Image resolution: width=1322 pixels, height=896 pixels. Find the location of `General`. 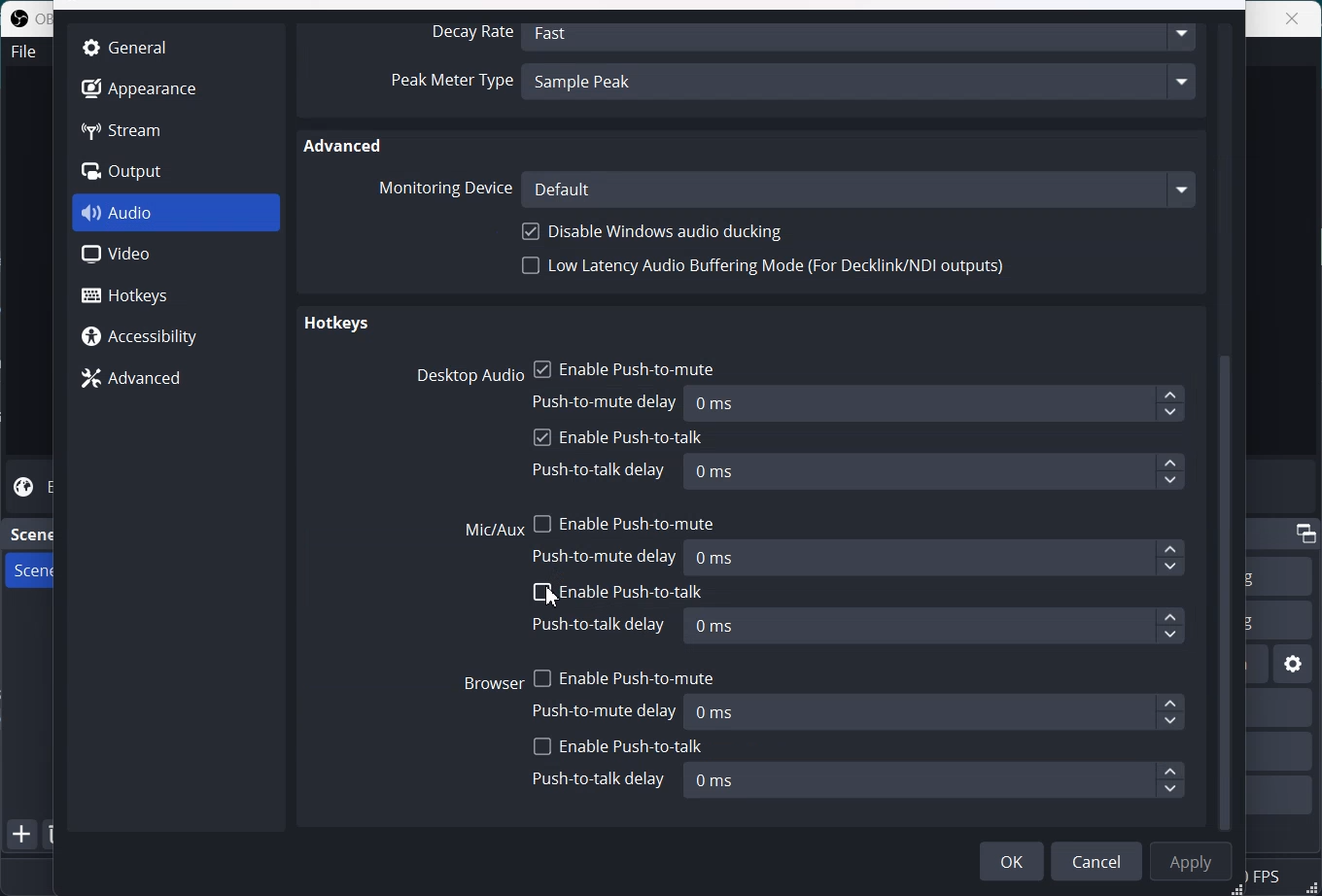

General is located at coordinates (134, 47).